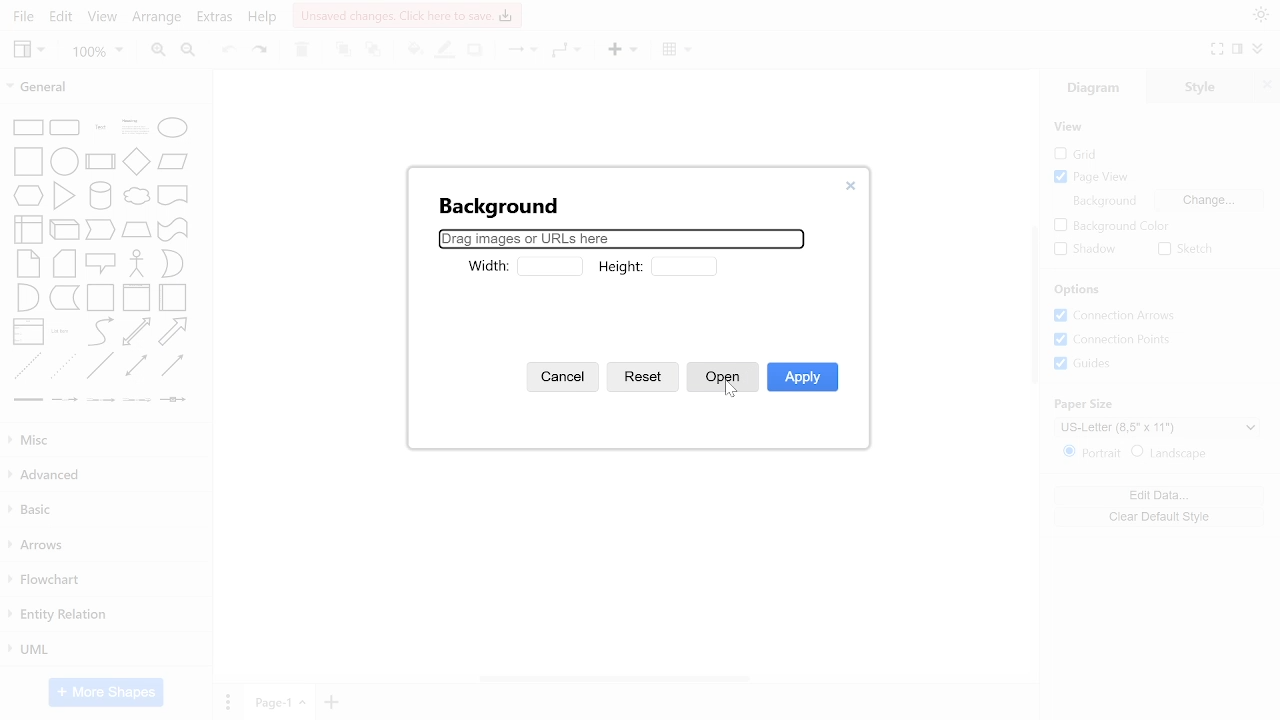  Describe the element at coordinates (101, 649) in the screenshot. I see `UML` at that location.